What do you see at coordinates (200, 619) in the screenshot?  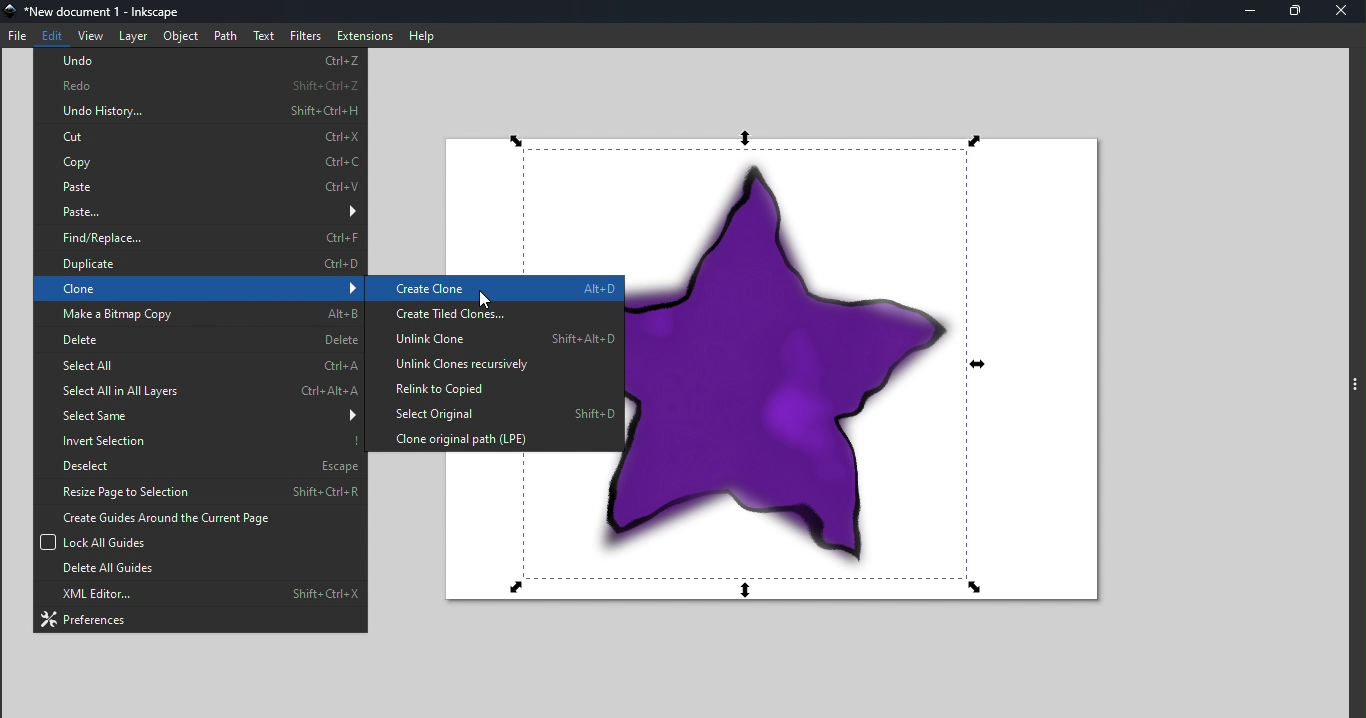 I see `Preferences` at bounding box center [200, 619].